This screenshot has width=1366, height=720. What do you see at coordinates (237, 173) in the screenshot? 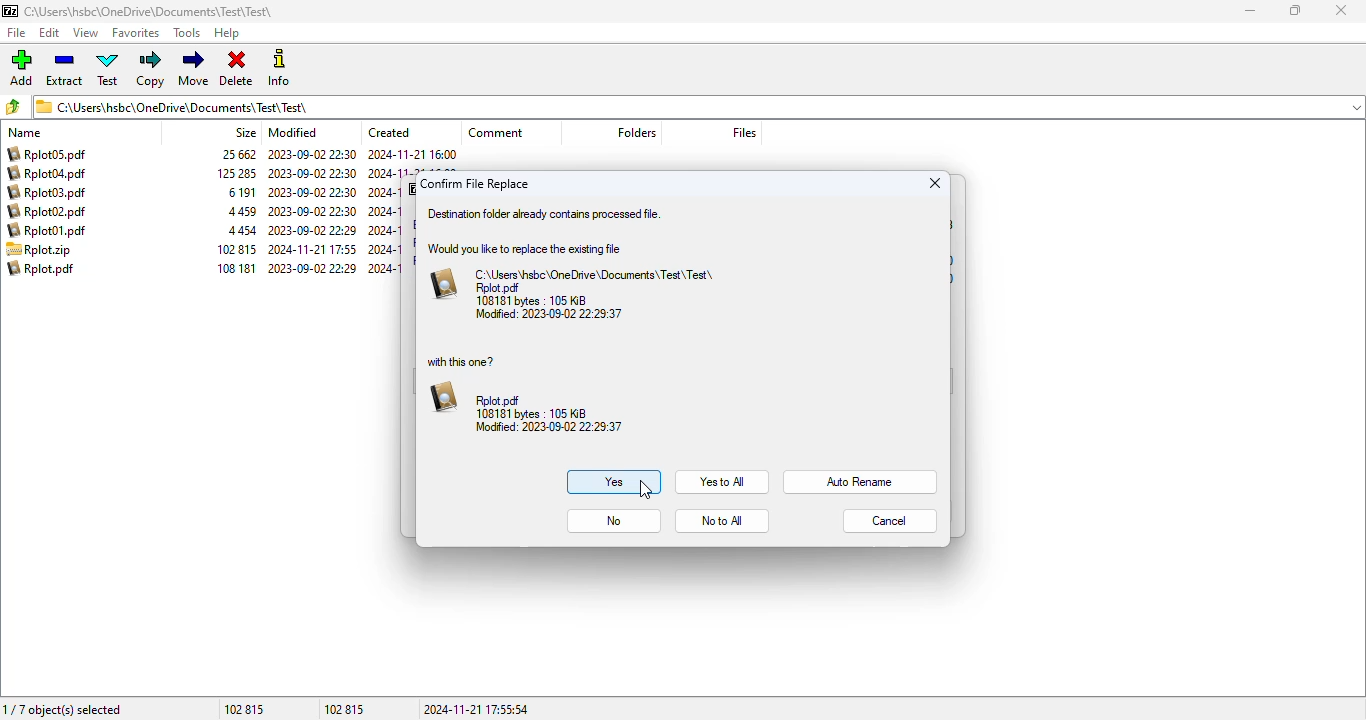
I see `125 285` at bounding box center [237, 173].